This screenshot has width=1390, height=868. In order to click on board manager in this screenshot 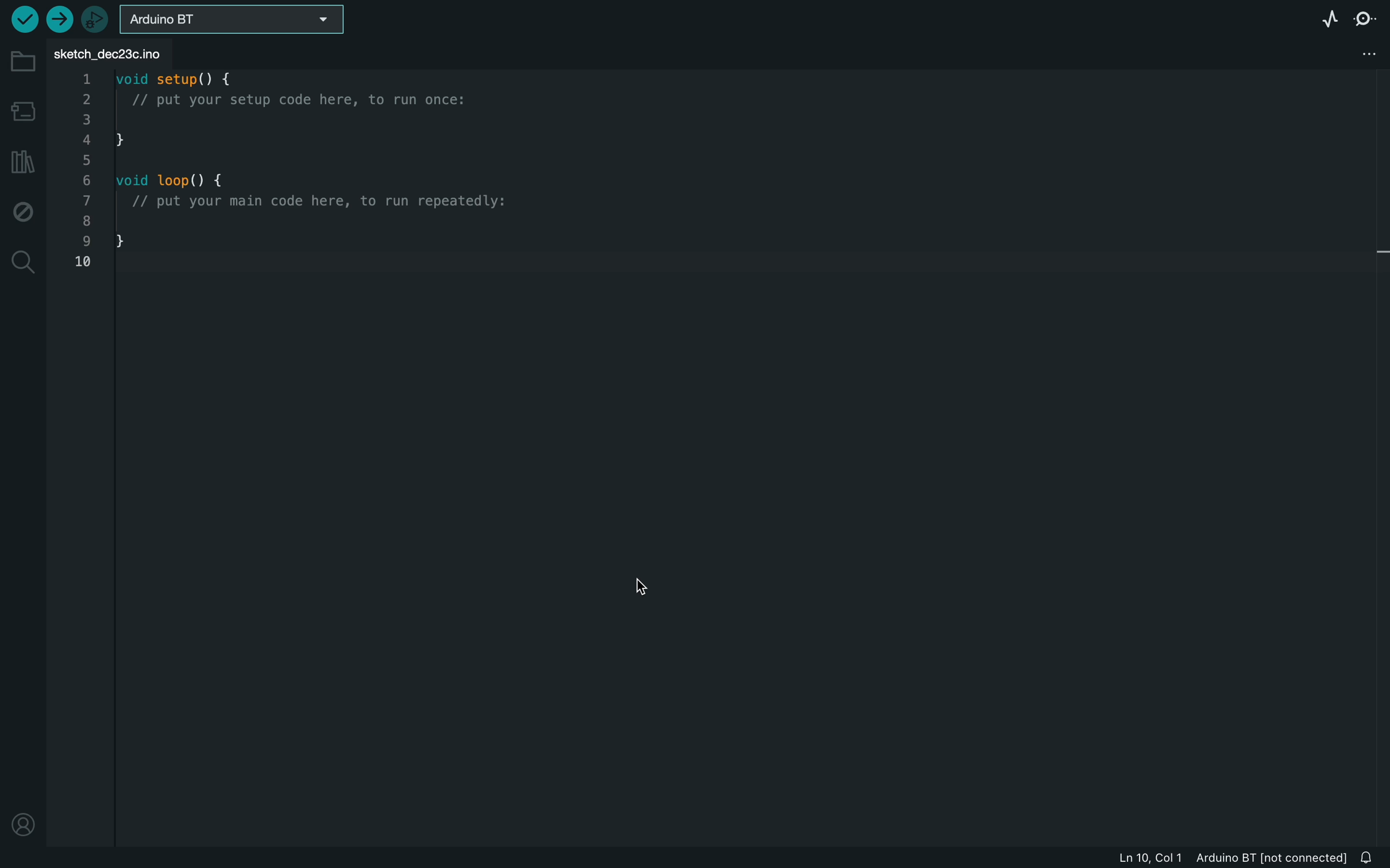, I will do `click(21, 109)`.